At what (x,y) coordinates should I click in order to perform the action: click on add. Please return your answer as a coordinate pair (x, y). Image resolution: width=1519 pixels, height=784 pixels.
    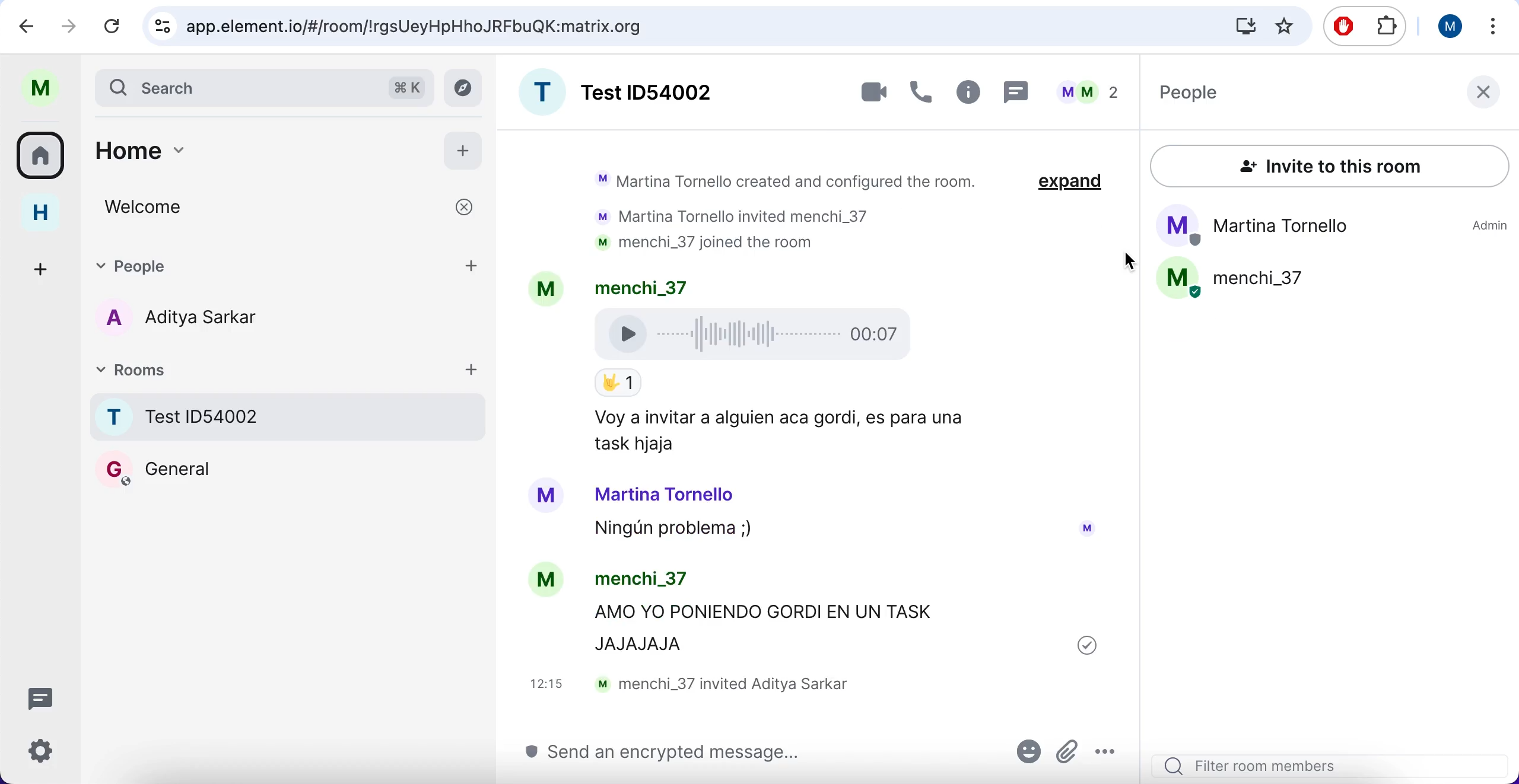
    Looking at the image, I should click on (463, 149).